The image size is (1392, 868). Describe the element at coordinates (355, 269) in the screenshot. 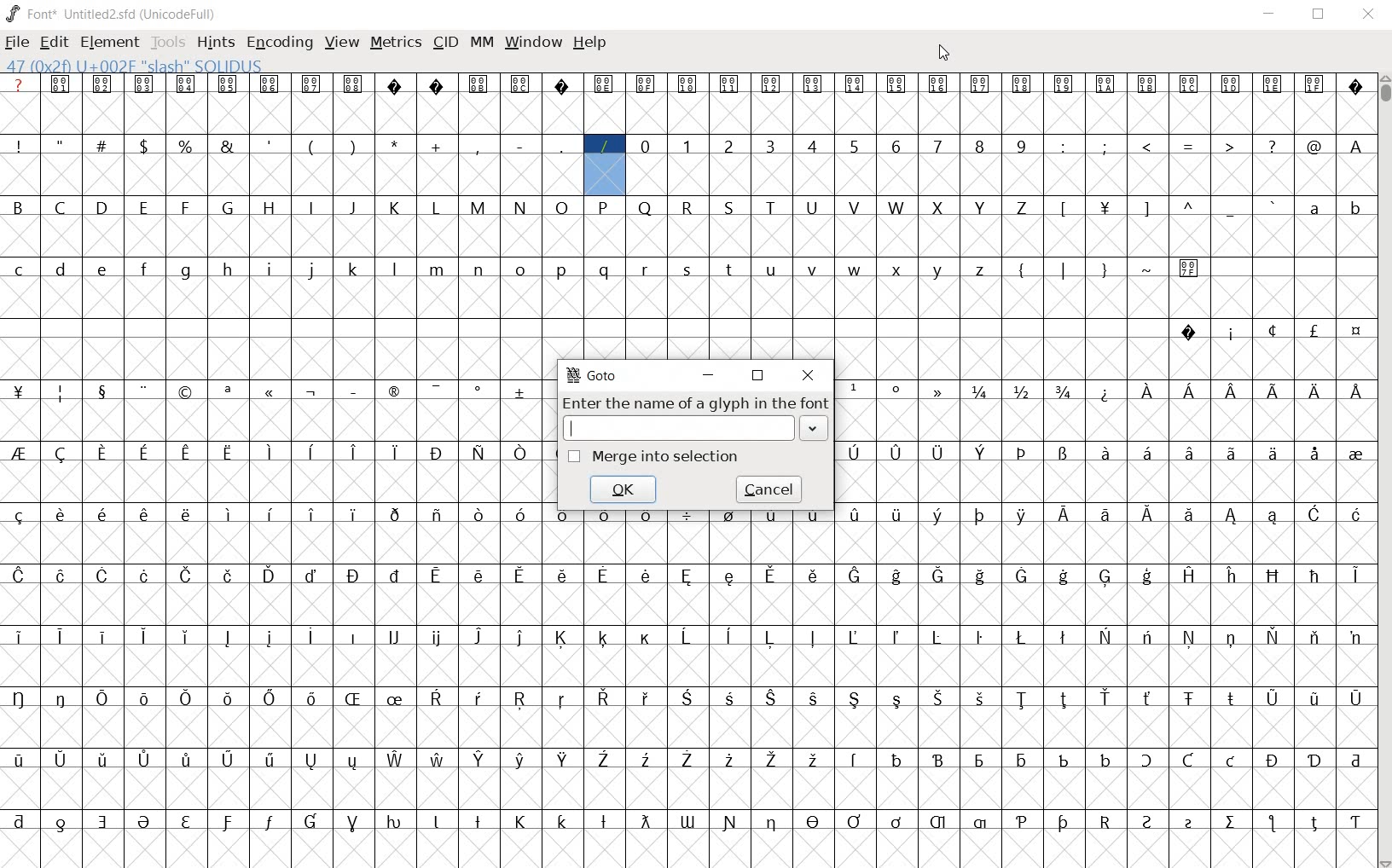

I see `glyph` at that location.